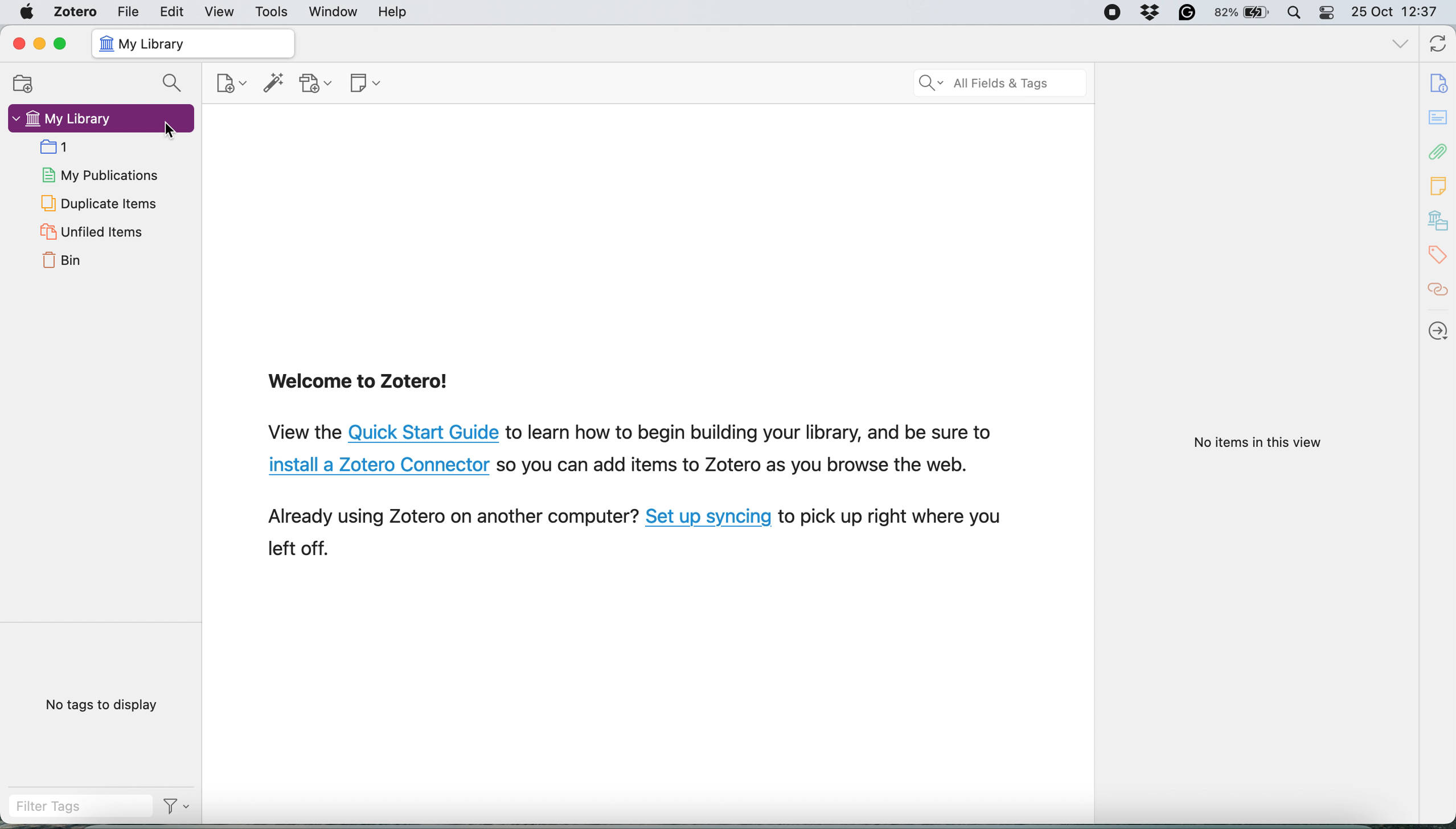 This screenshot has height=829, width=1456. Describe the element at coordinates (63, 44) in the screenshot. I see `maximise` at that location.